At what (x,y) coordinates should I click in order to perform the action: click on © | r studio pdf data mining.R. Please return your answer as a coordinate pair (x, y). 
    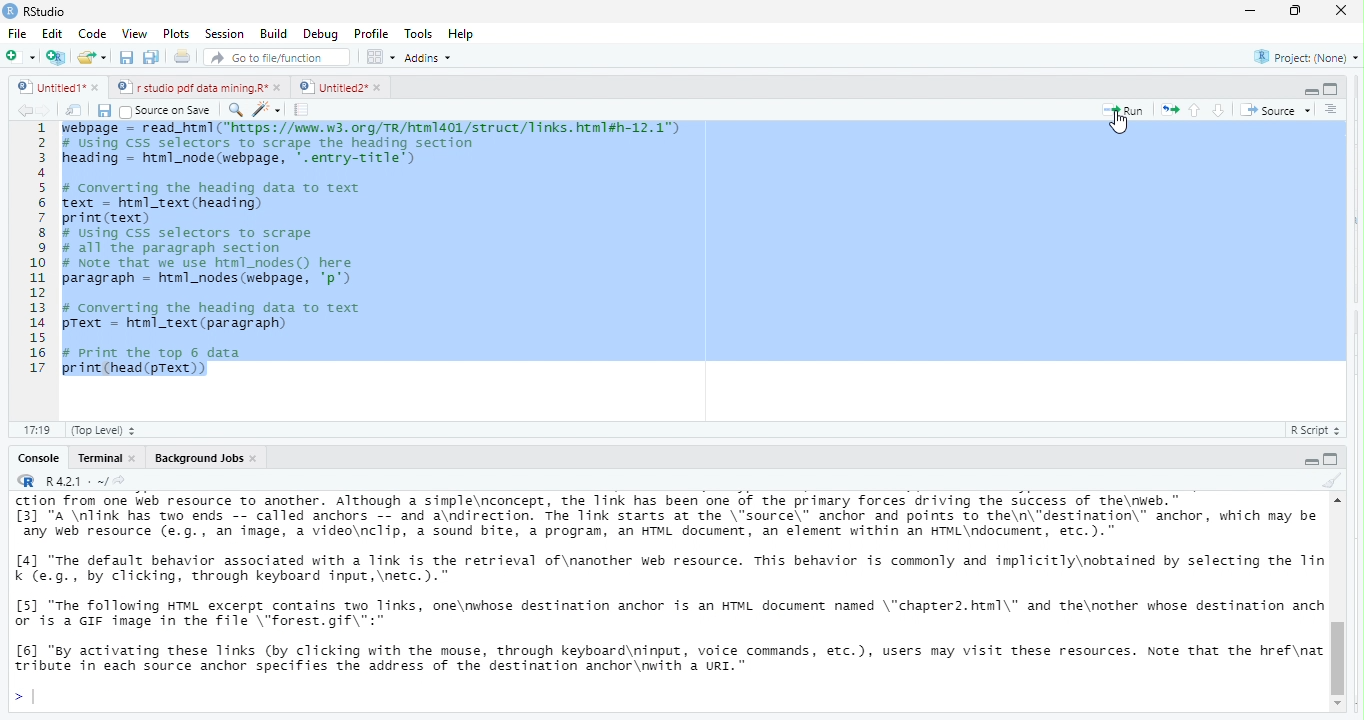
    Looking at the image, I should click on (194, 88).